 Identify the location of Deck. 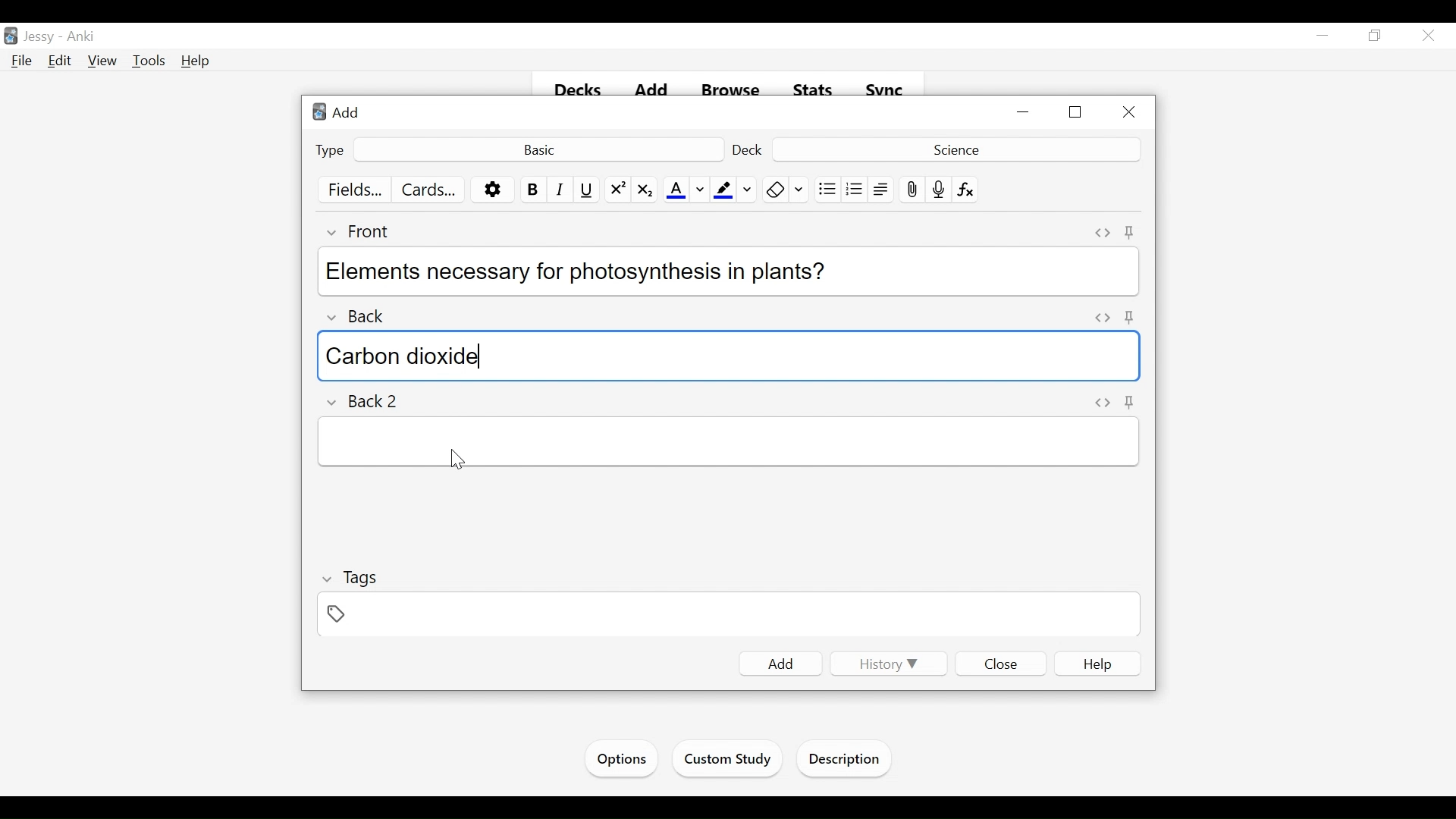
(749, 149).